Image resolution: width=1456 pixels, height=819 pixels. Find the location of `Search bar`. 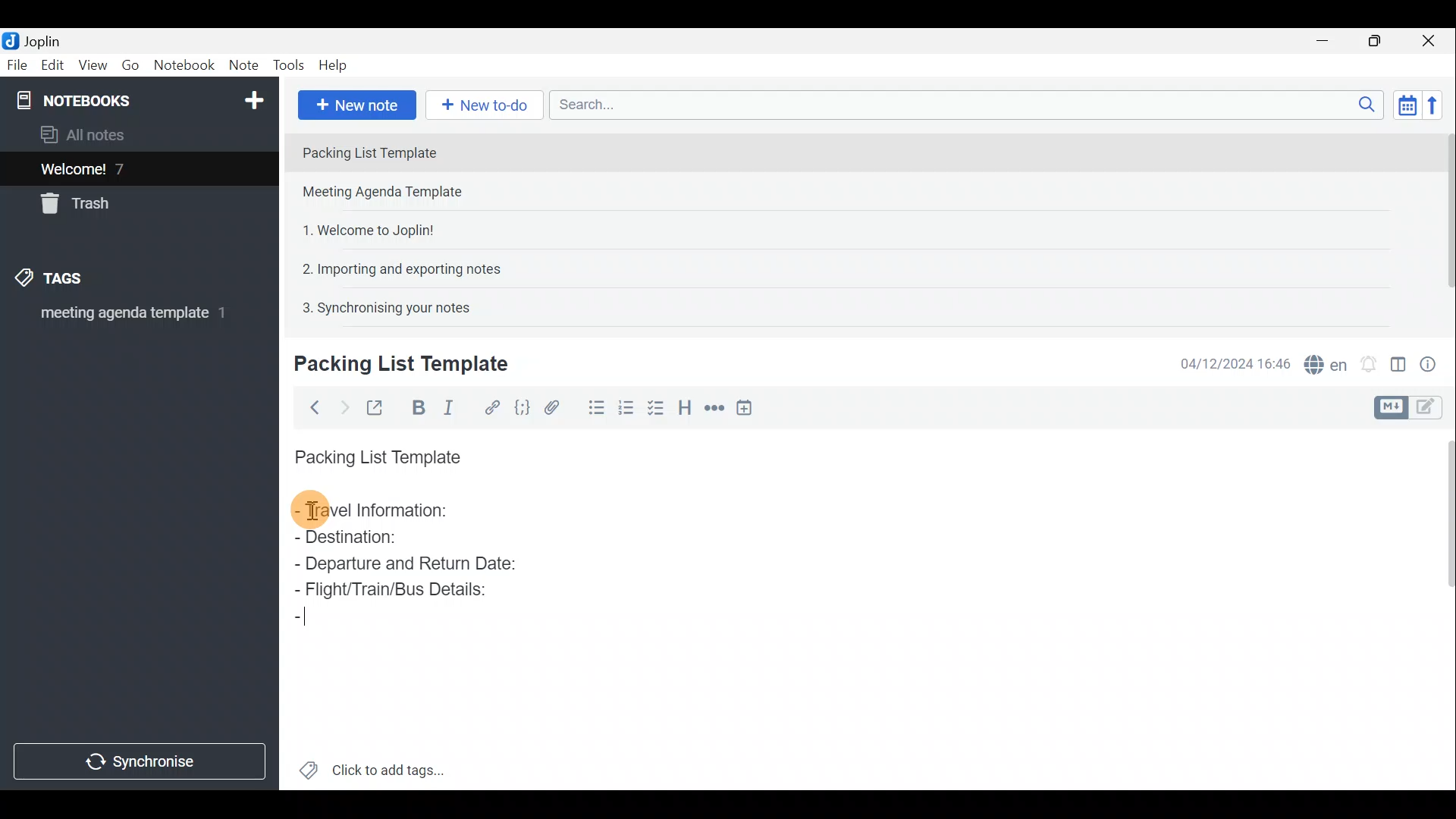

Search bar is located at coordinates (962, 106).